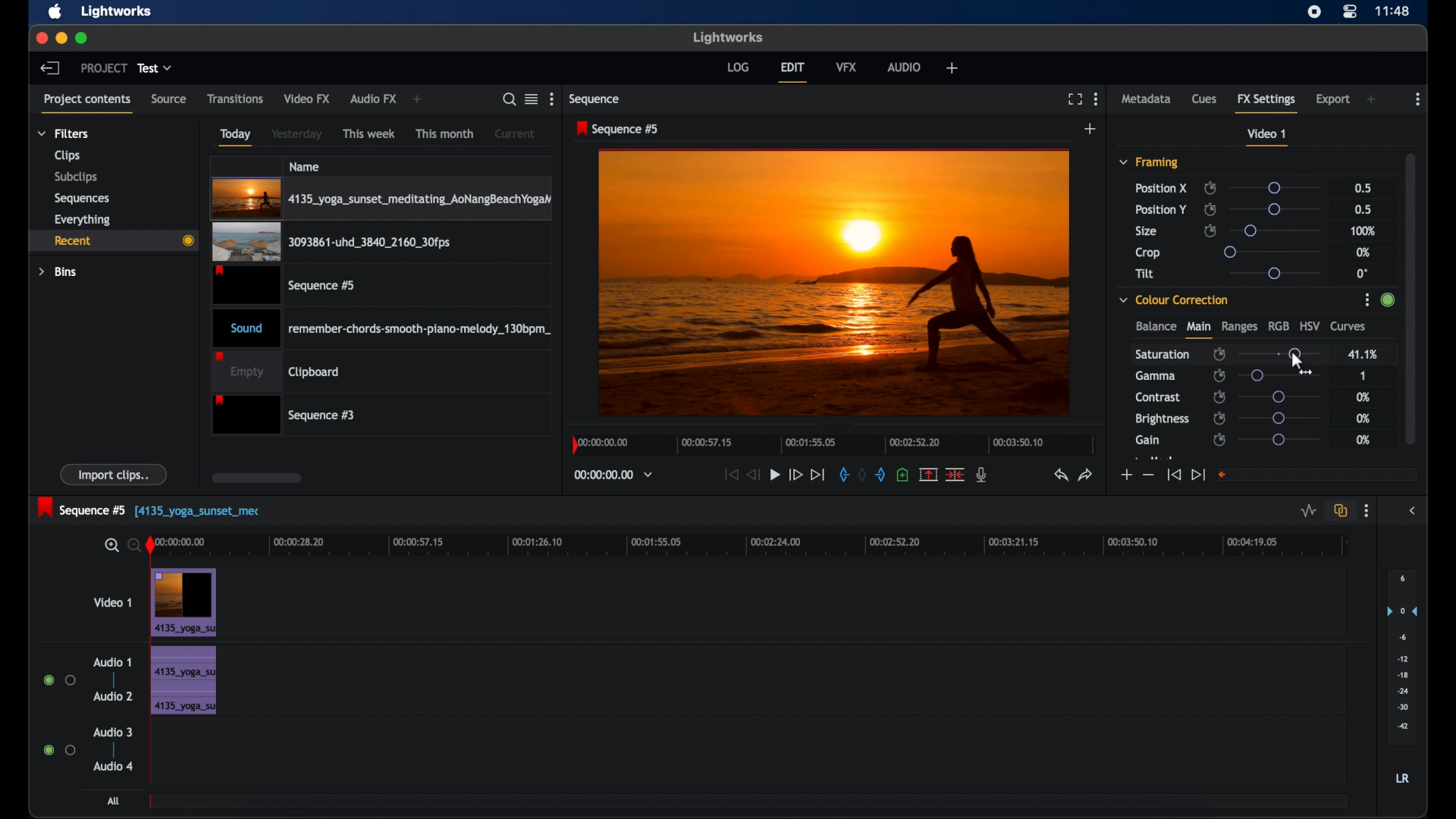 This screenshot has width=1456, height=819. Describe the element at coordinates (1361, 187) in the screenshot. I see `0.5` at that location.